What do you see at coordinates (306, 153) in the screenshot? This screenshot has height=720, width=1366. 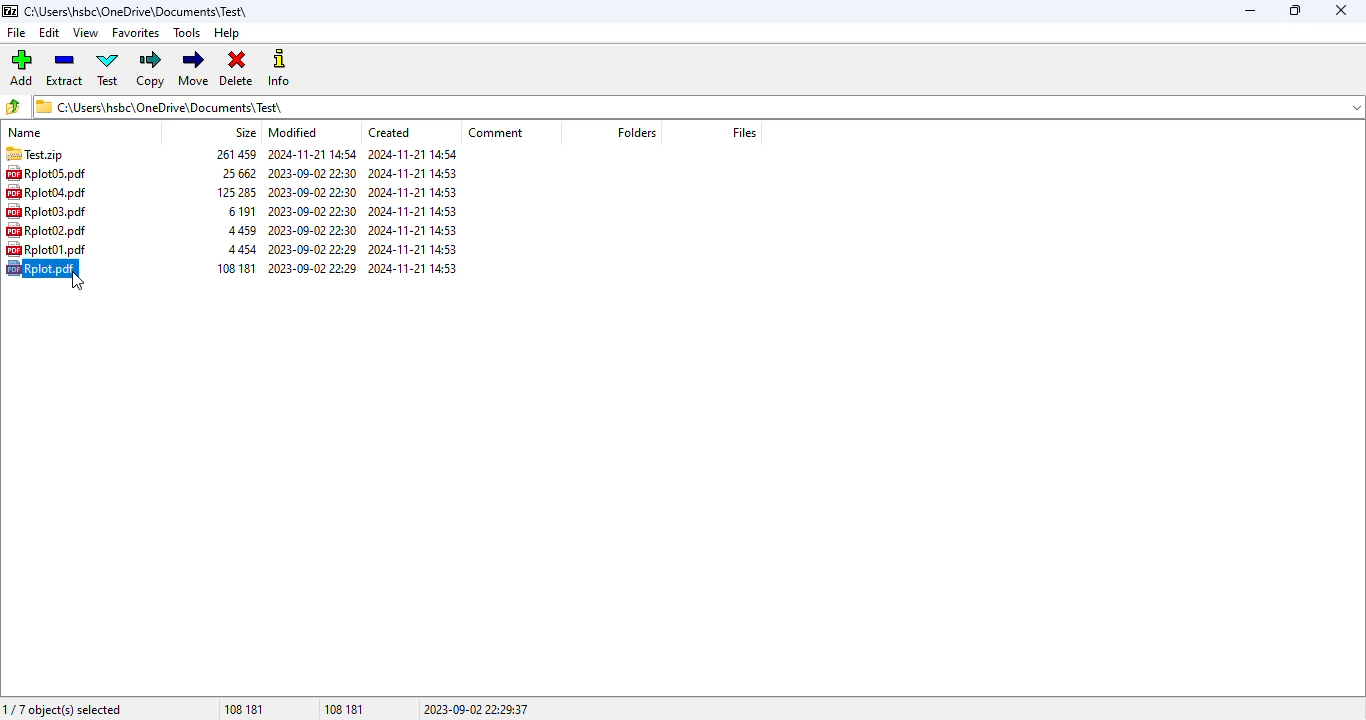 I see ` 2044-11-21 1454` at bounding box center [306, 153].